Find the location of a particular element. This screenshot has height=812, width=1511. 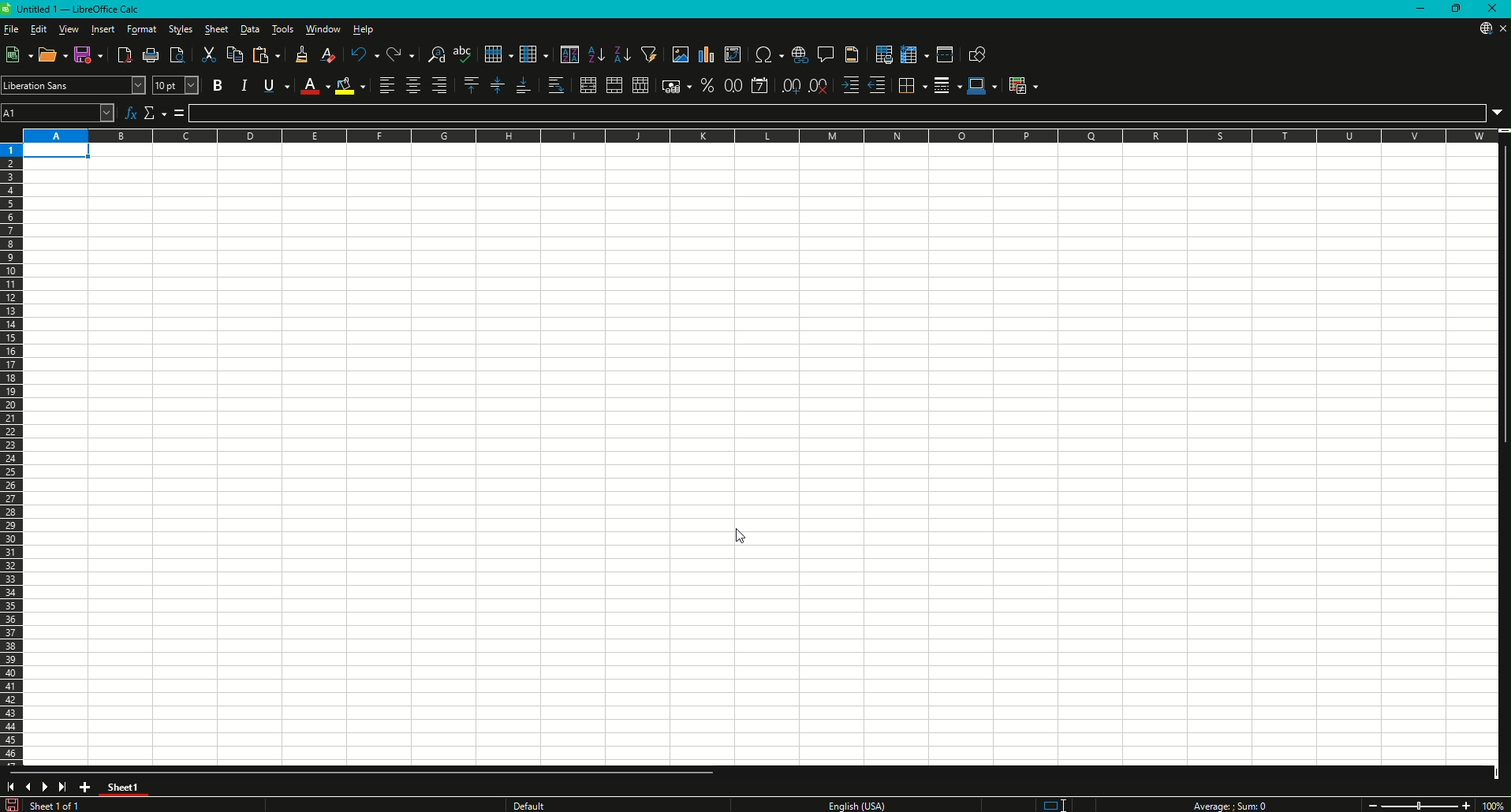

Window is located at coordinates (324, 28).